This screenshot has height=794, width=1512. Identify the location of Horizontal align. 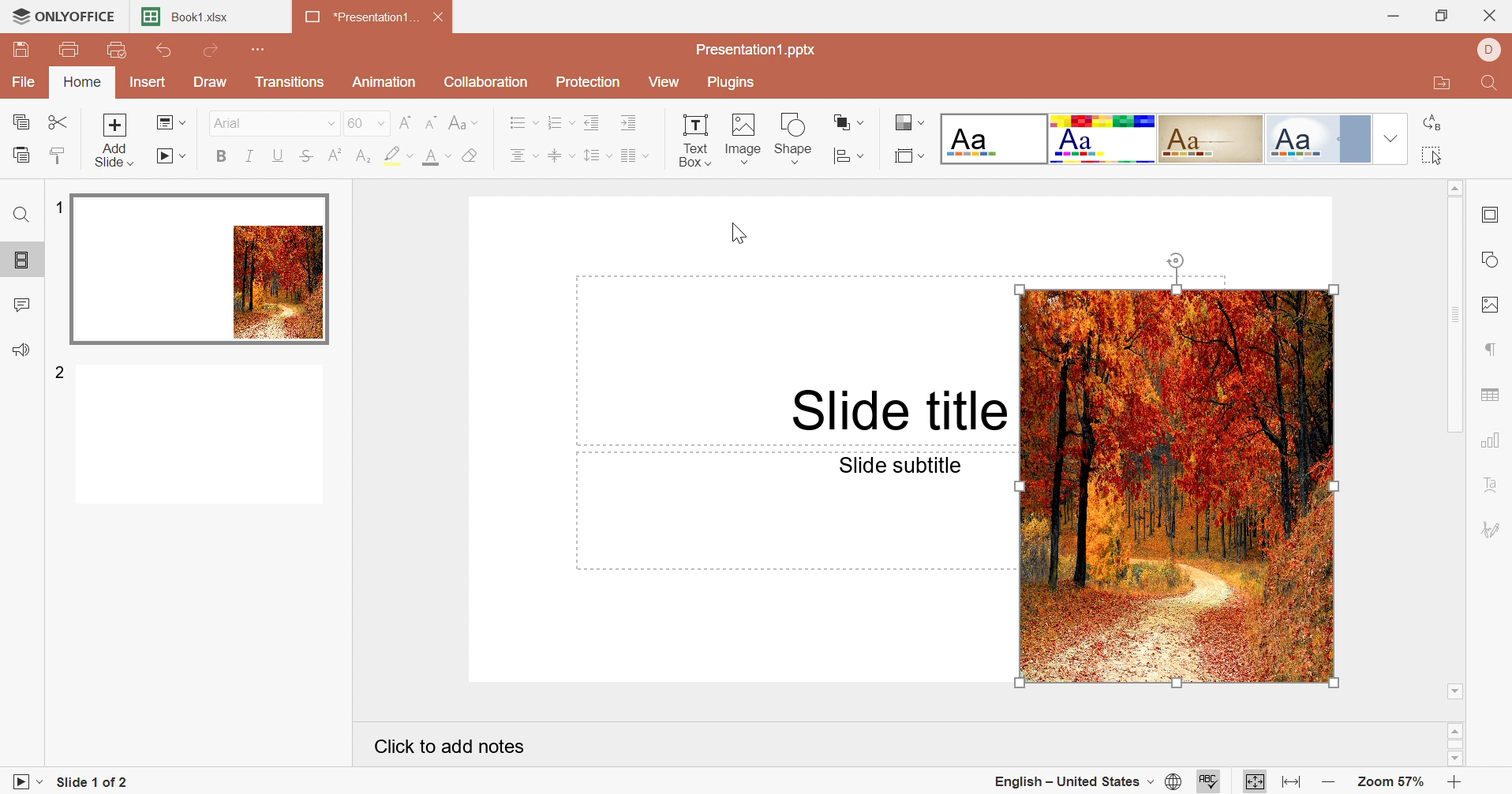
(522, 158).